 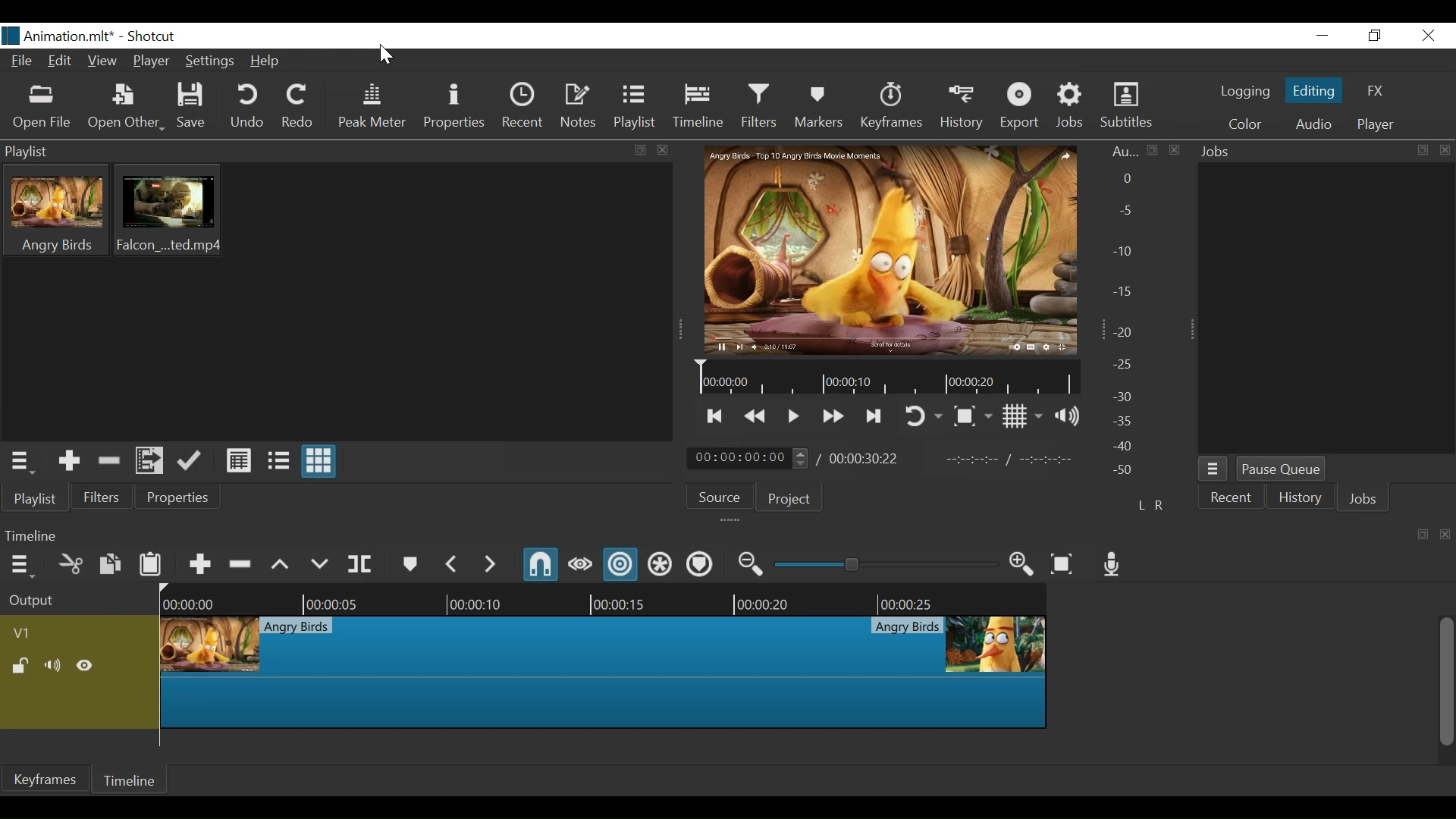 I want to click on Ripple Delete, so click(x=242, y=562).